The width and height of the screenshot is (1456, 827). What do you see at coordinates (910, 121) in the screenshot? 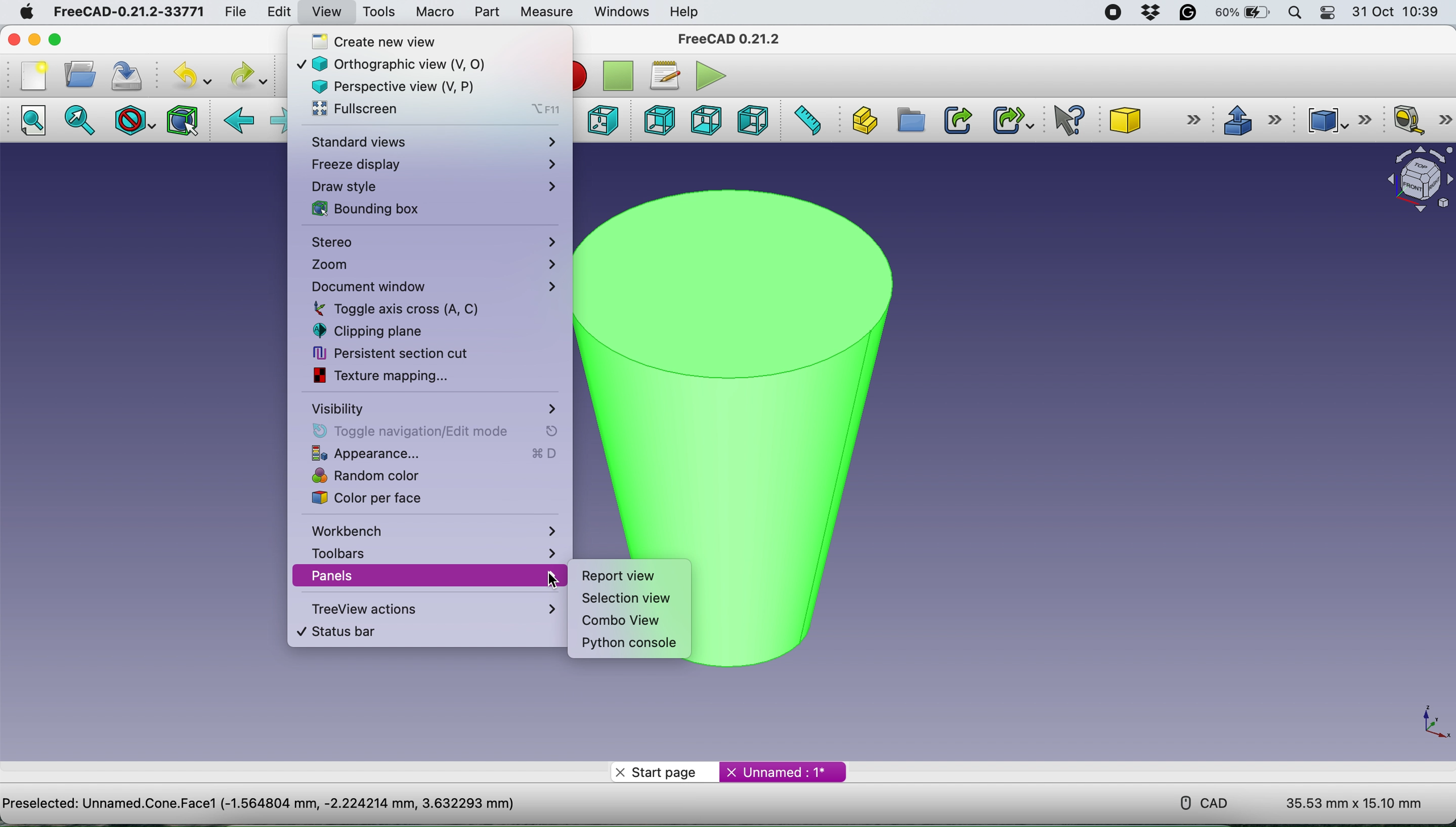
I see `create group` at bounding box center [910, 121].